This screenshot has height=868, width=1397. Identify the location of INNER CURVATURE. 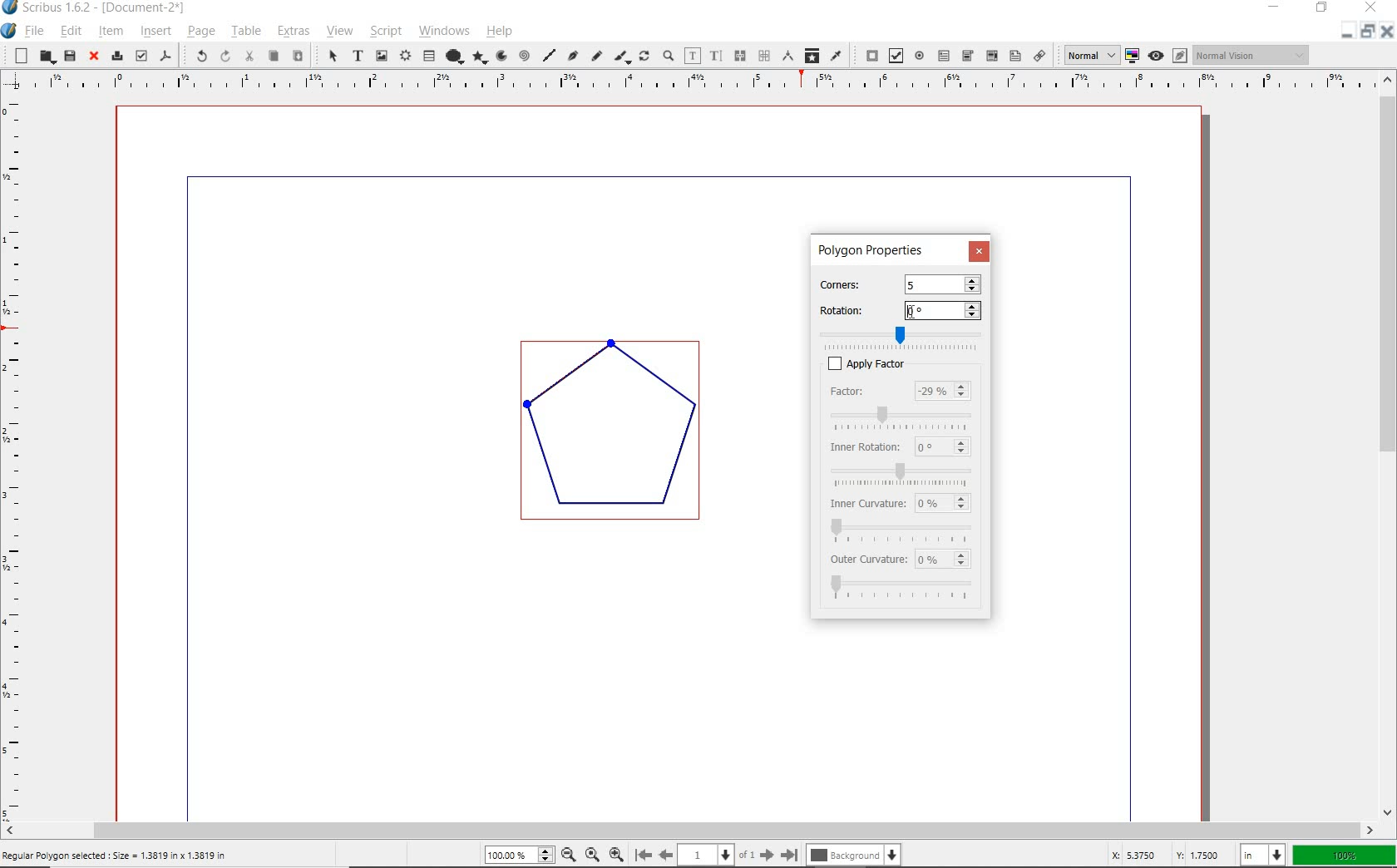
(865, 502).